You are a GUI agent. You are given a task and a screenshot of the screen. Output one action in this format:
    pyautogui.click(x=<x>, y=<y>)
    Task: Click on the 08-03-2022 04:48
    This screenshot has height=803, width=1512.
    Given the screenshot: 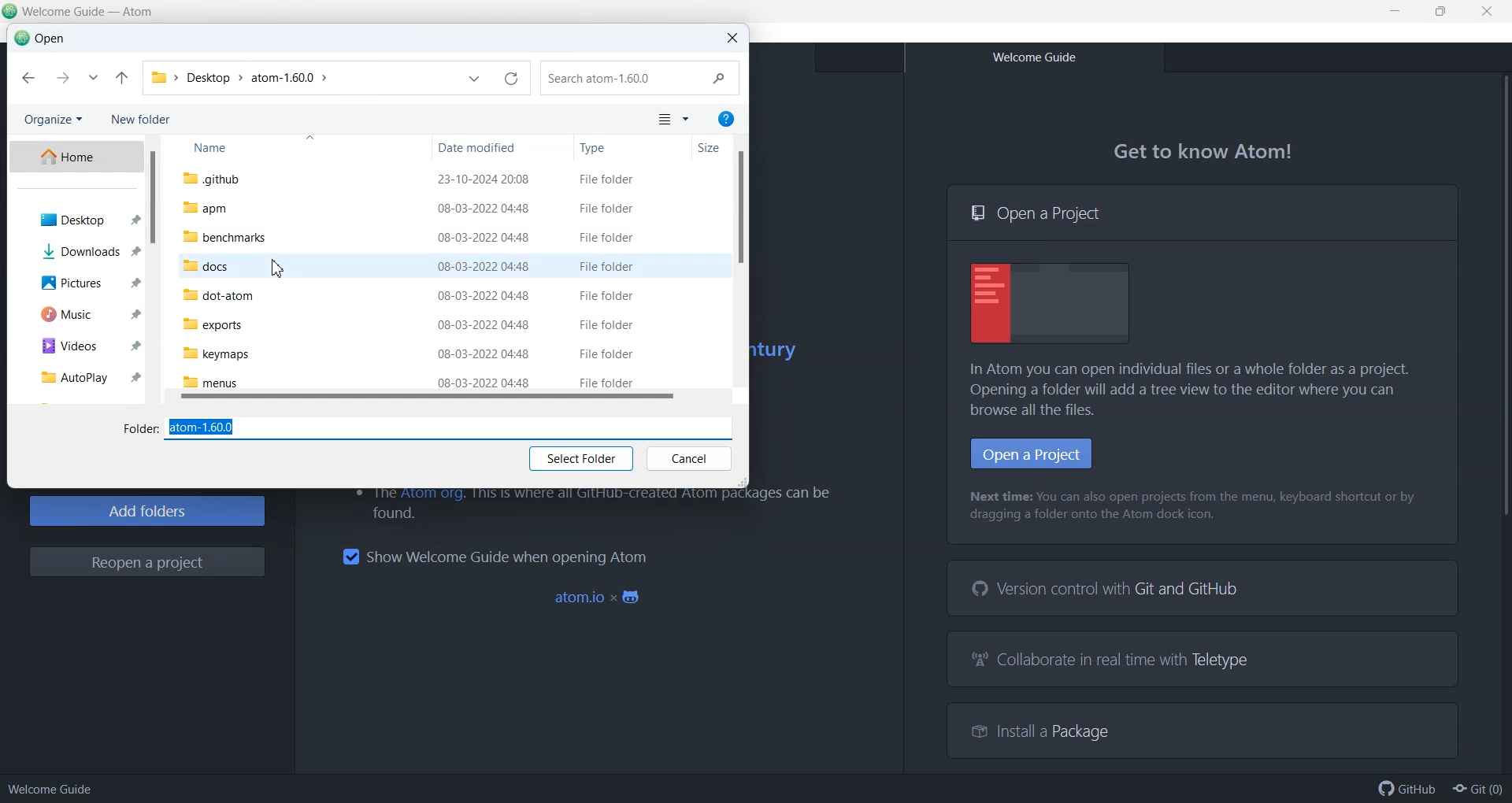 What is the action you would take?
    pyautogui.click(x=485, y=238)
    